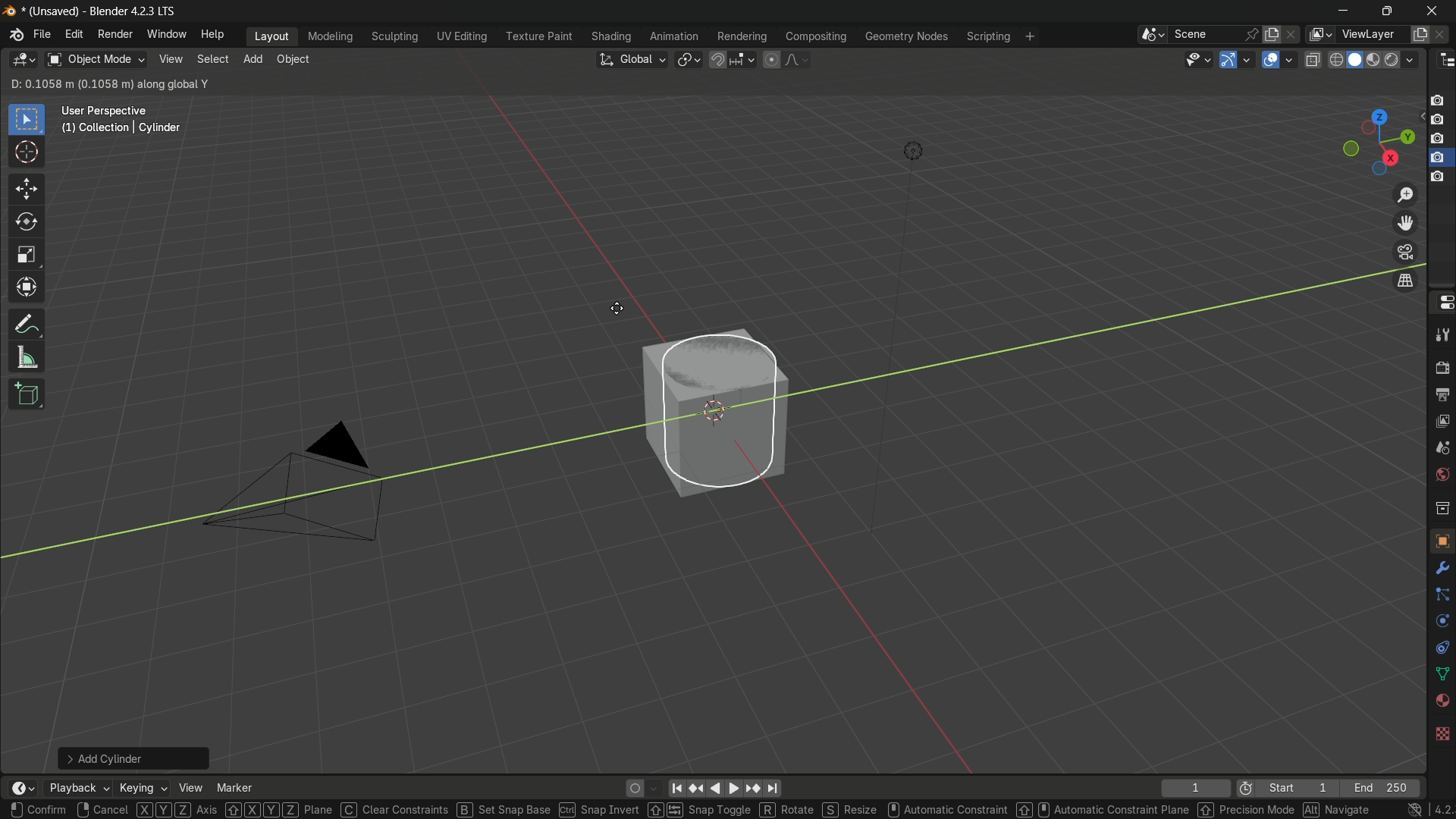 The height and width of the screenshot is (819, 1456). Describe the element at coordinates (1336, 810) in the screenshot. I see `navigation` at that location.